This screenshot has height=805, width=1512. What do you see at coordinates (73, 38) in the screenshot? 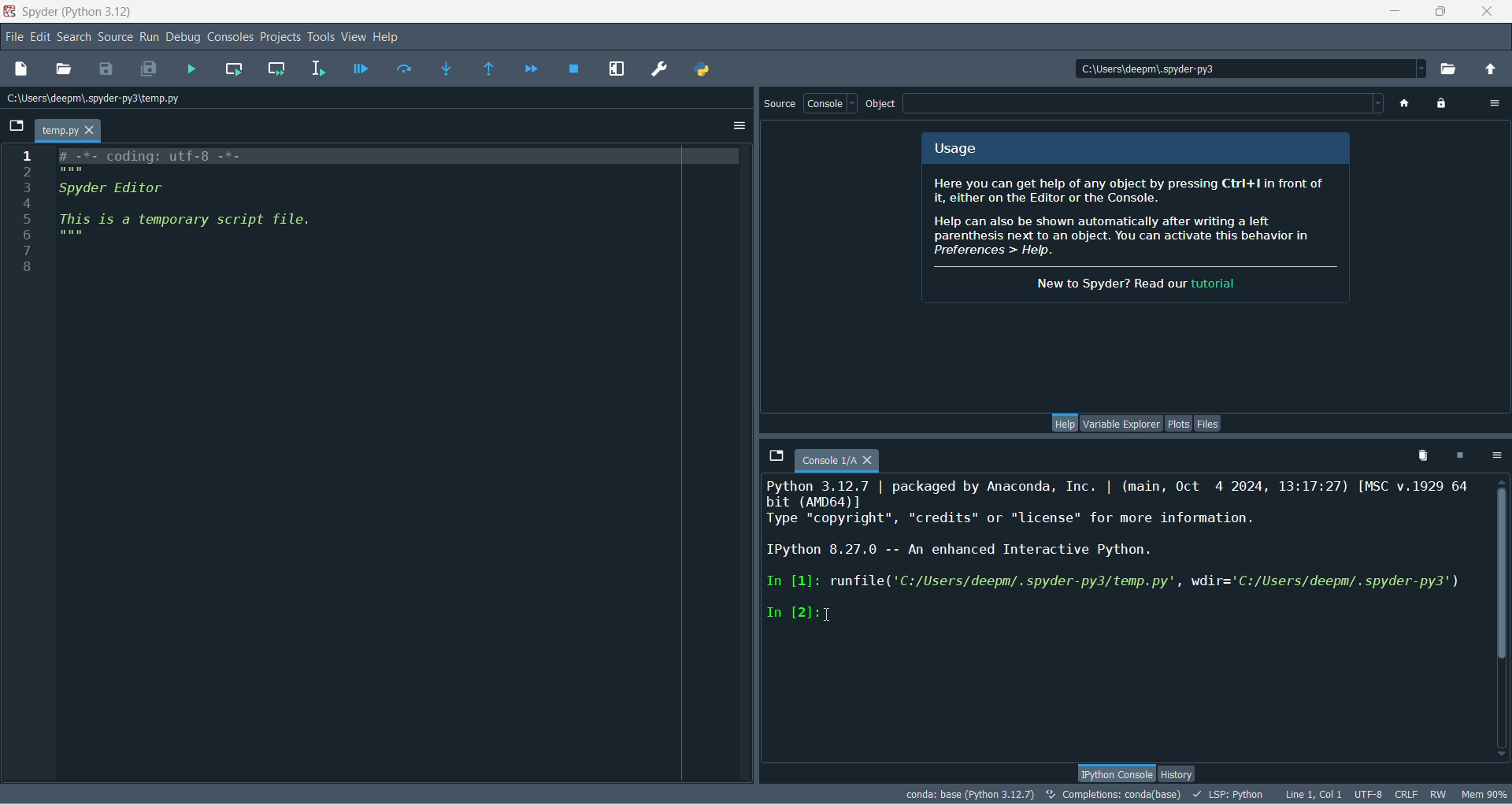
I see `search` at bounding box center [73, 38].